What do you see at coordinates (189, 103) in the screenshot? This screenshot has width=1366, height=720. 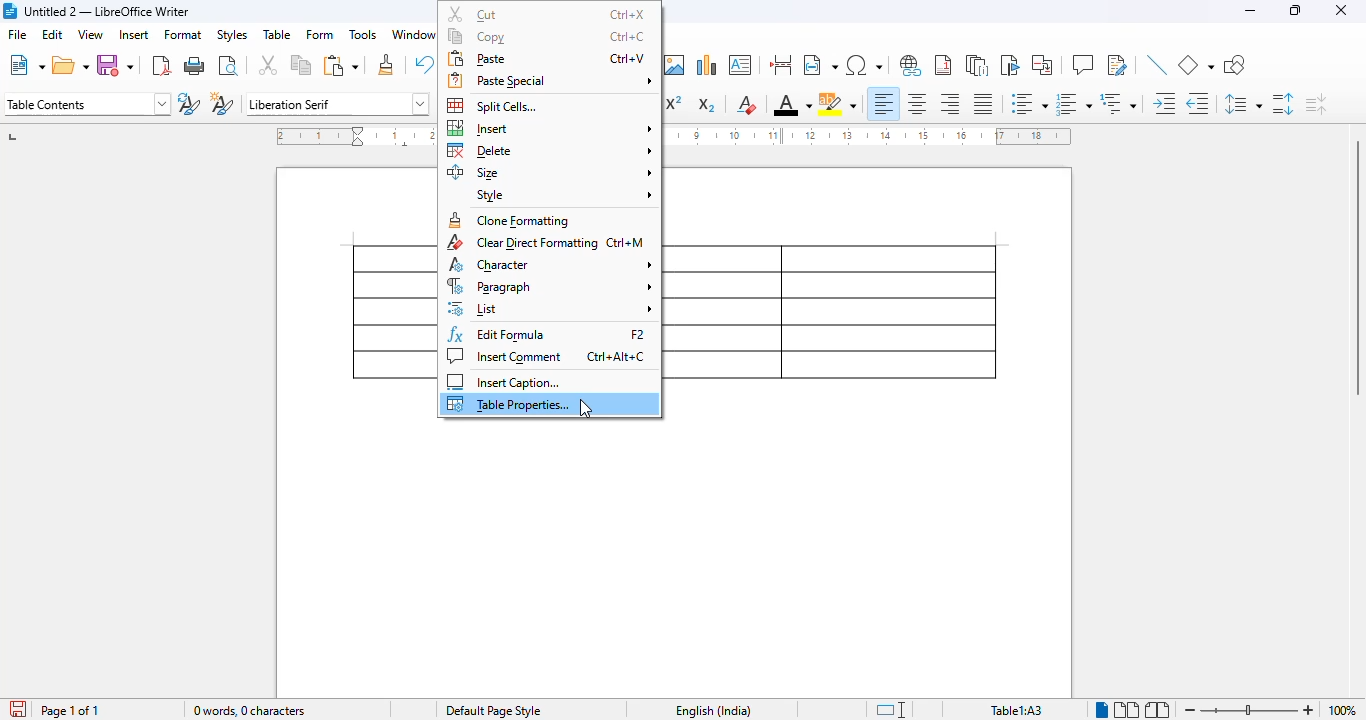 I see `update new selection` at bounding box center [189, 103].